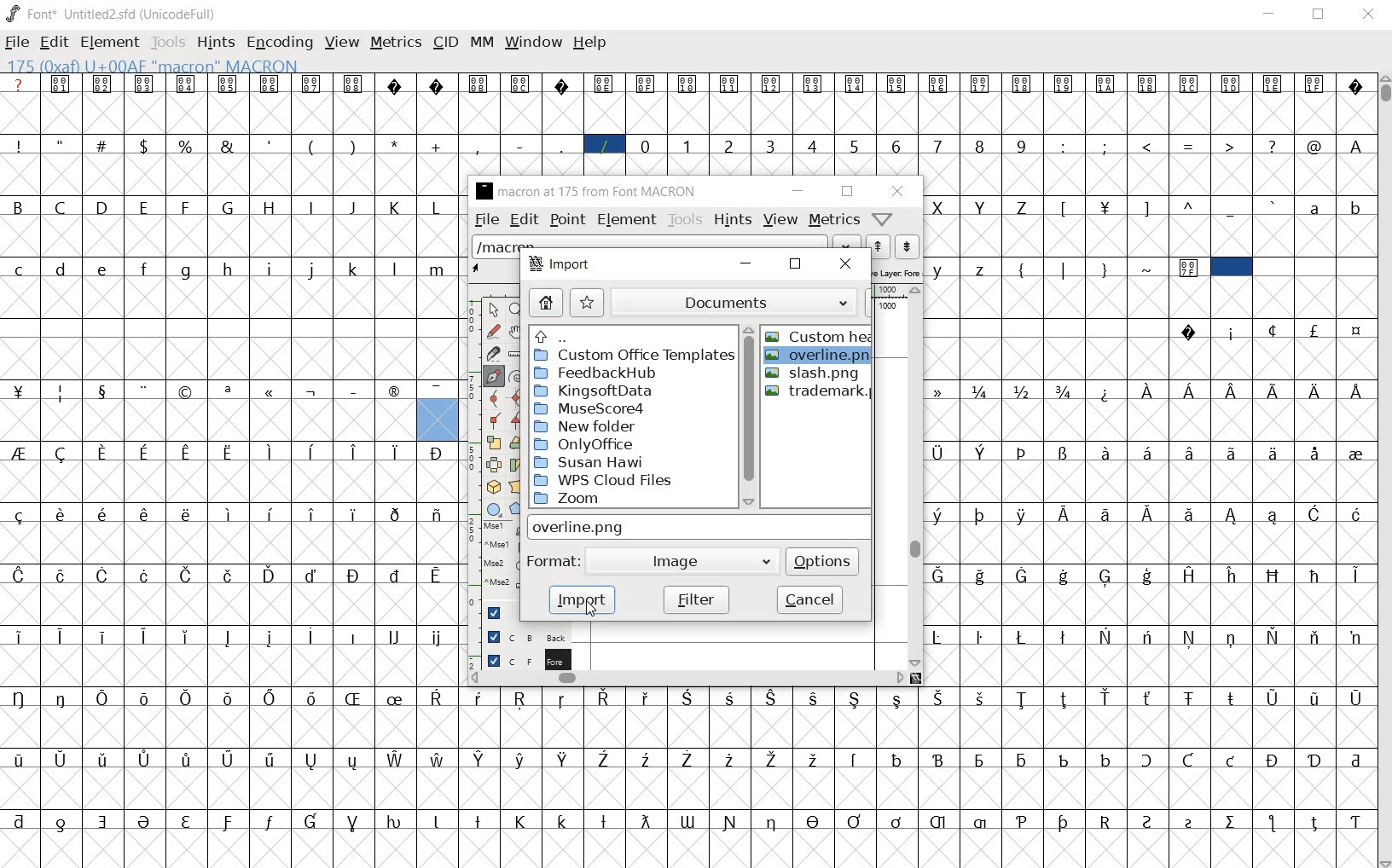 The height and width of the screenshot is (868, 1392). Describe the element at coordinates (148, 575) in the screenshot. I see `Symbol` at that location.